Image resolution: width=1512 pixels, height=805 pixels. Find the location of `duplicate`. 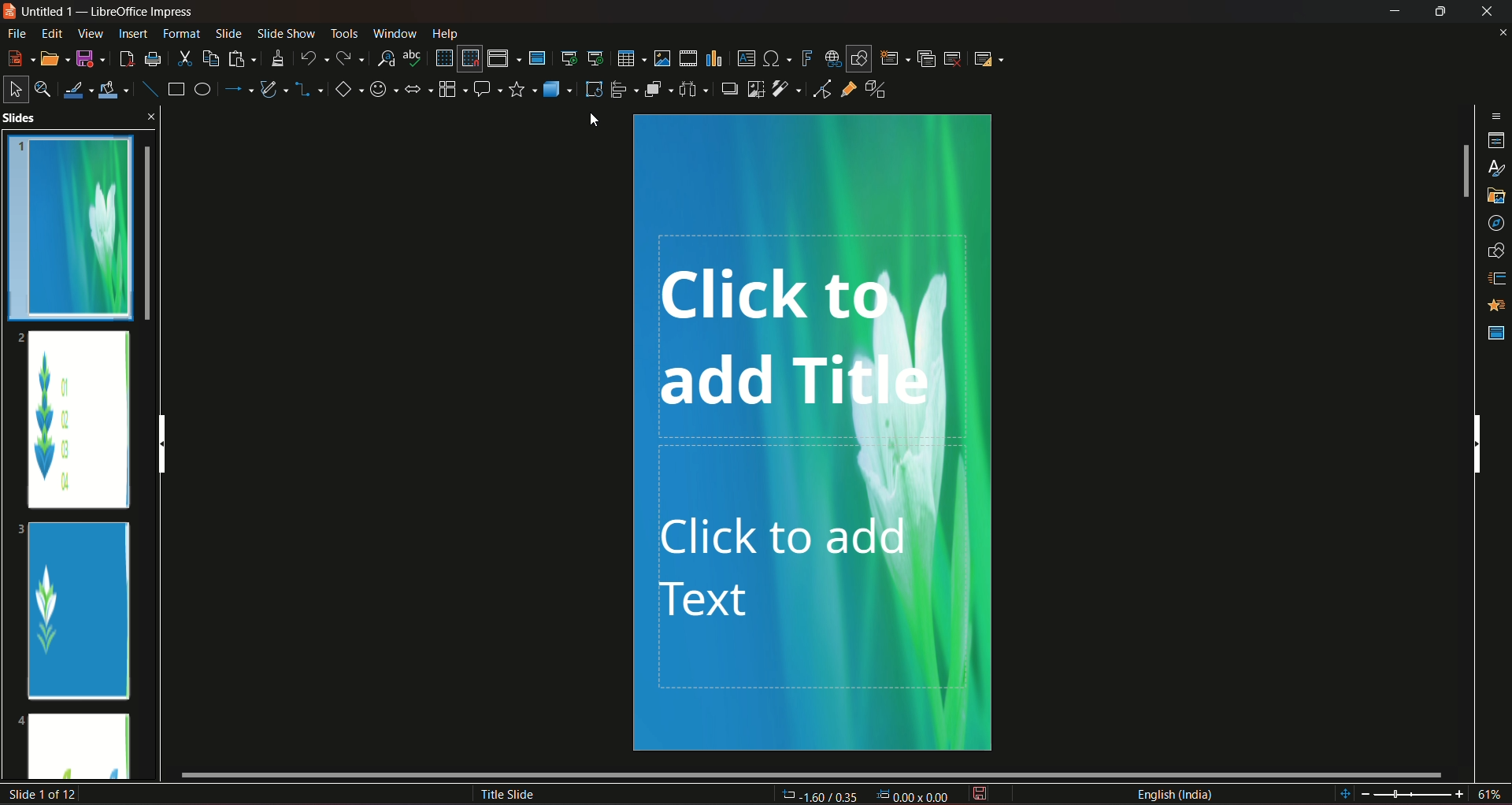

duplicate is located at coordinates (926, 57).